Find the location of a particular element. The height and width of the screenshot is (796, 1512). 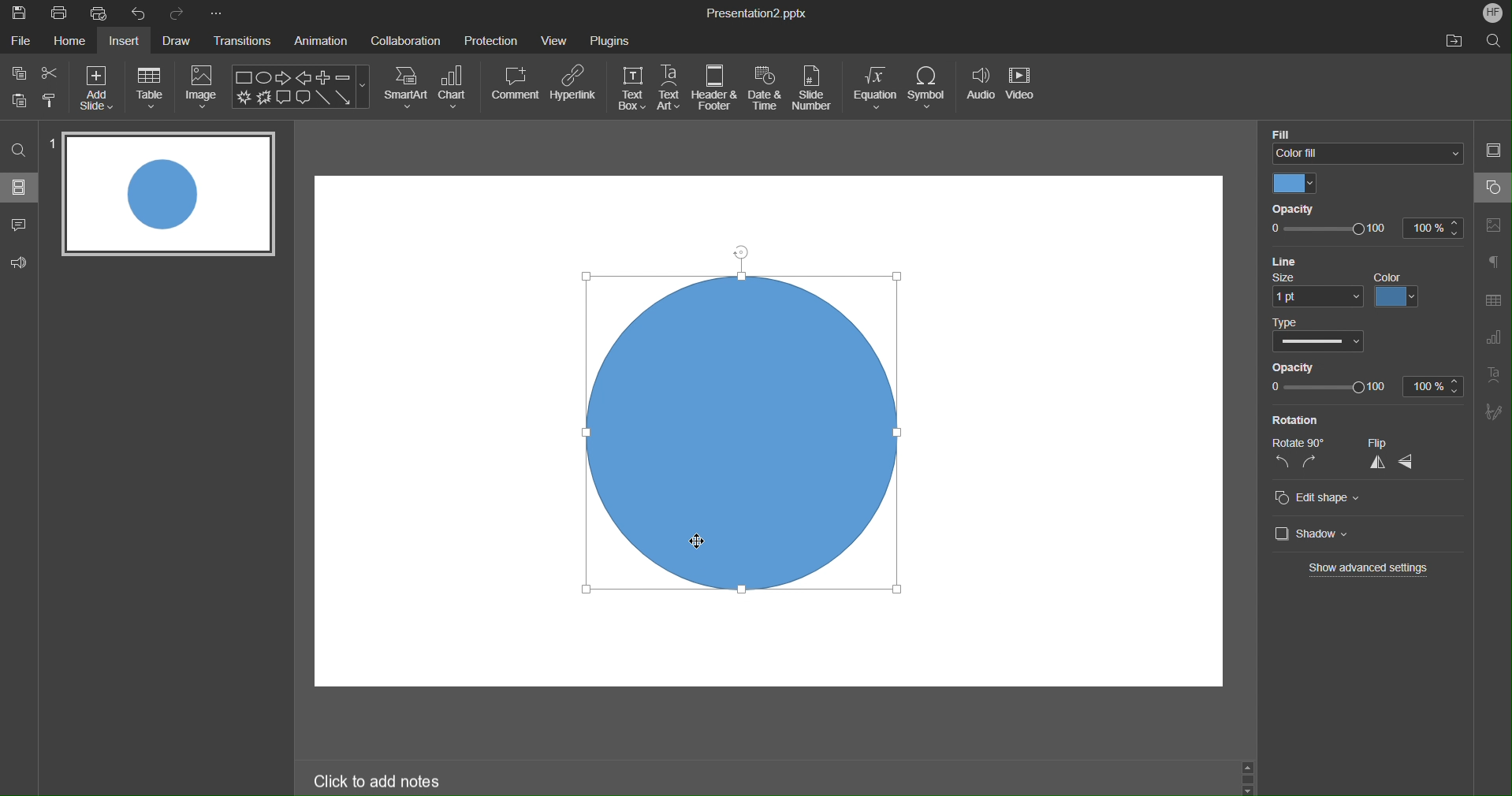

Edit shape is located at coordinates (1318, 499).